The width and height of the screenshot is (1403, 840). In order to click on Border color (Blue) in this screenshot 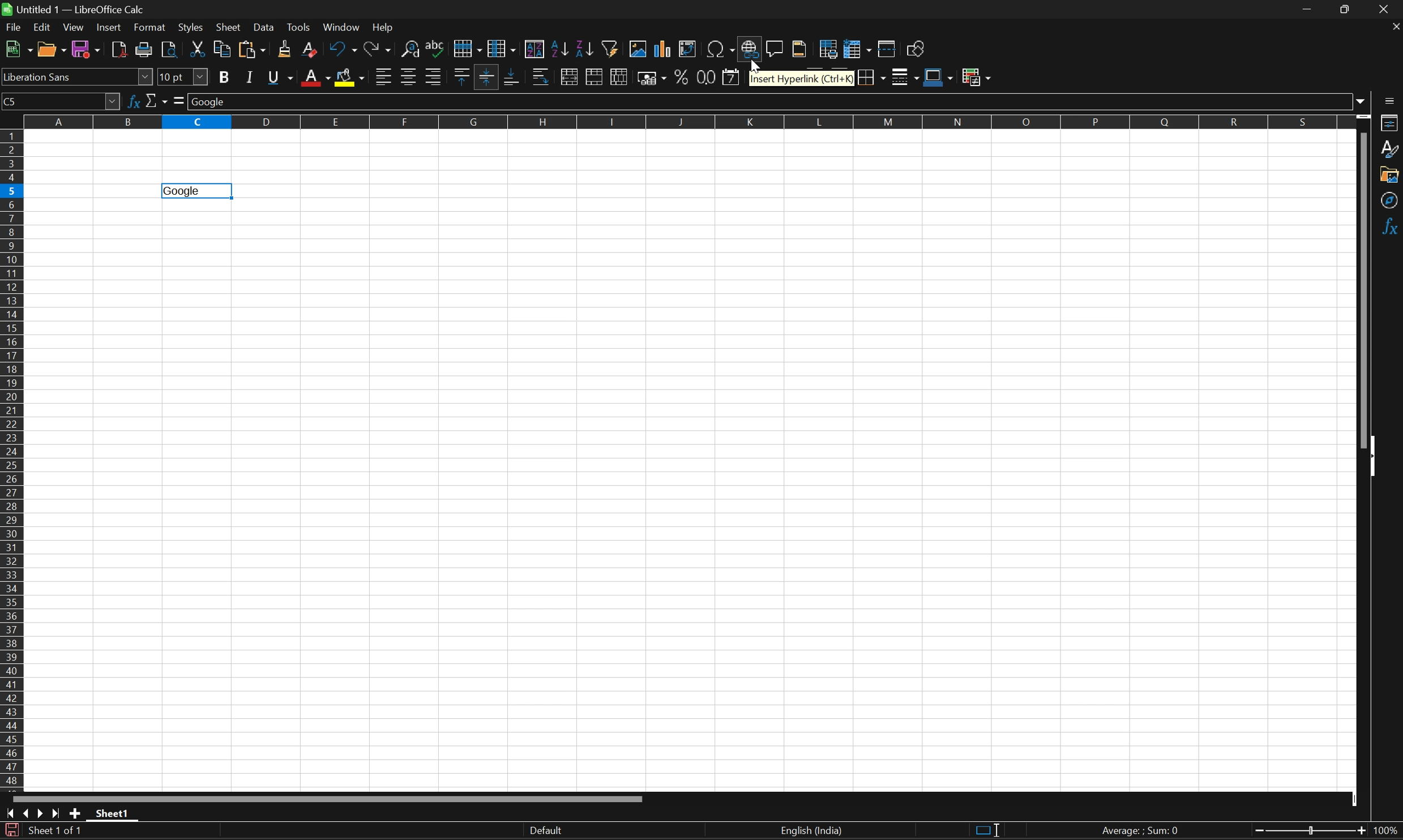, I will do `click(940, 77)`.